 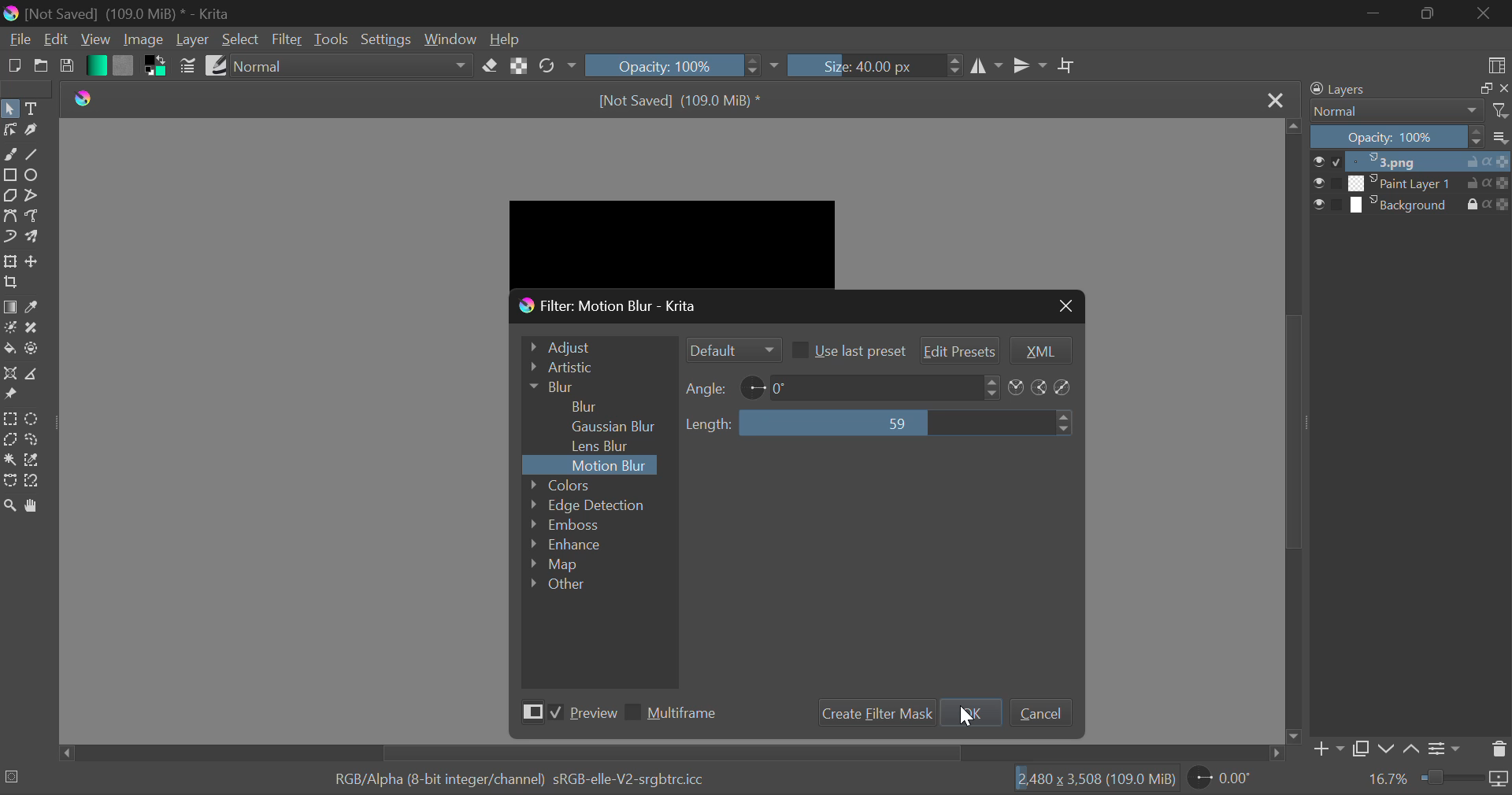 I want to click on Layers, so click(x=1405, y=89).